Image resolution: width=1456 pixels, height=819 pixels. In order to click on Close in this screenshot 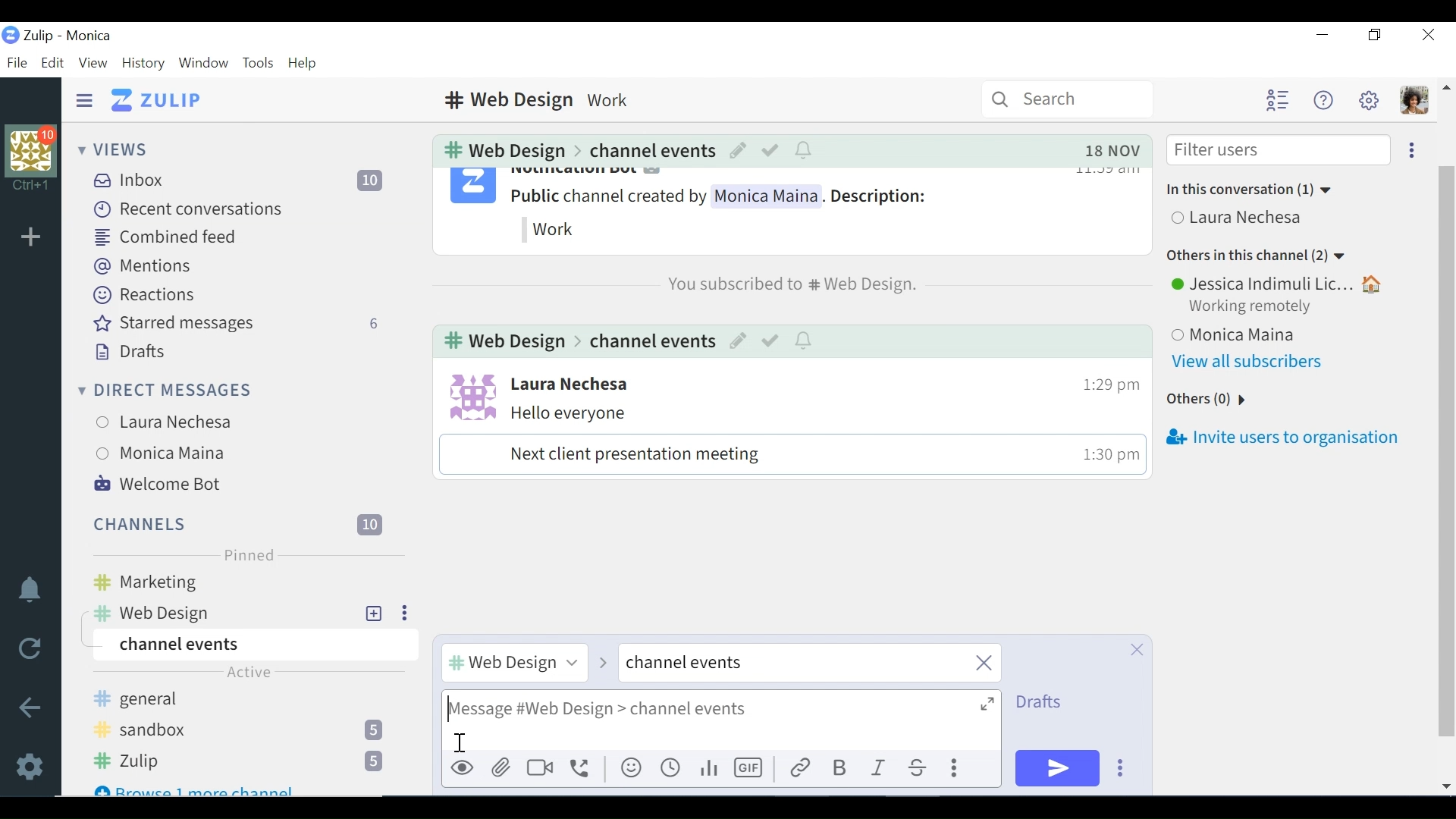, I will do `click(1135, 649)`.